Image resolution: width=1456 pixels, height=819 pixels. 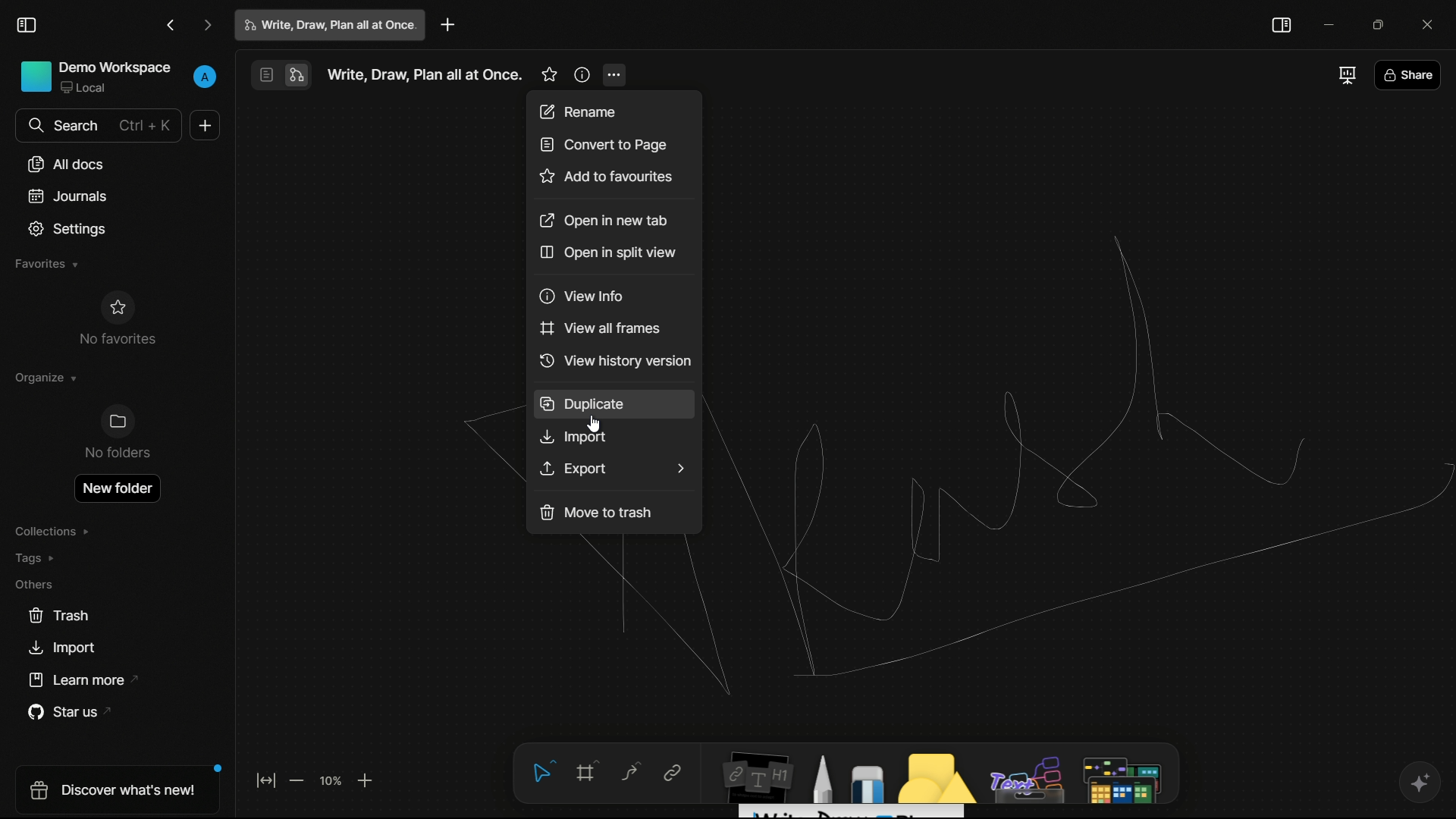 What do you see at coordinates (61, 648) in the screenshot?
I see `import` at bounding box center [61, 648].